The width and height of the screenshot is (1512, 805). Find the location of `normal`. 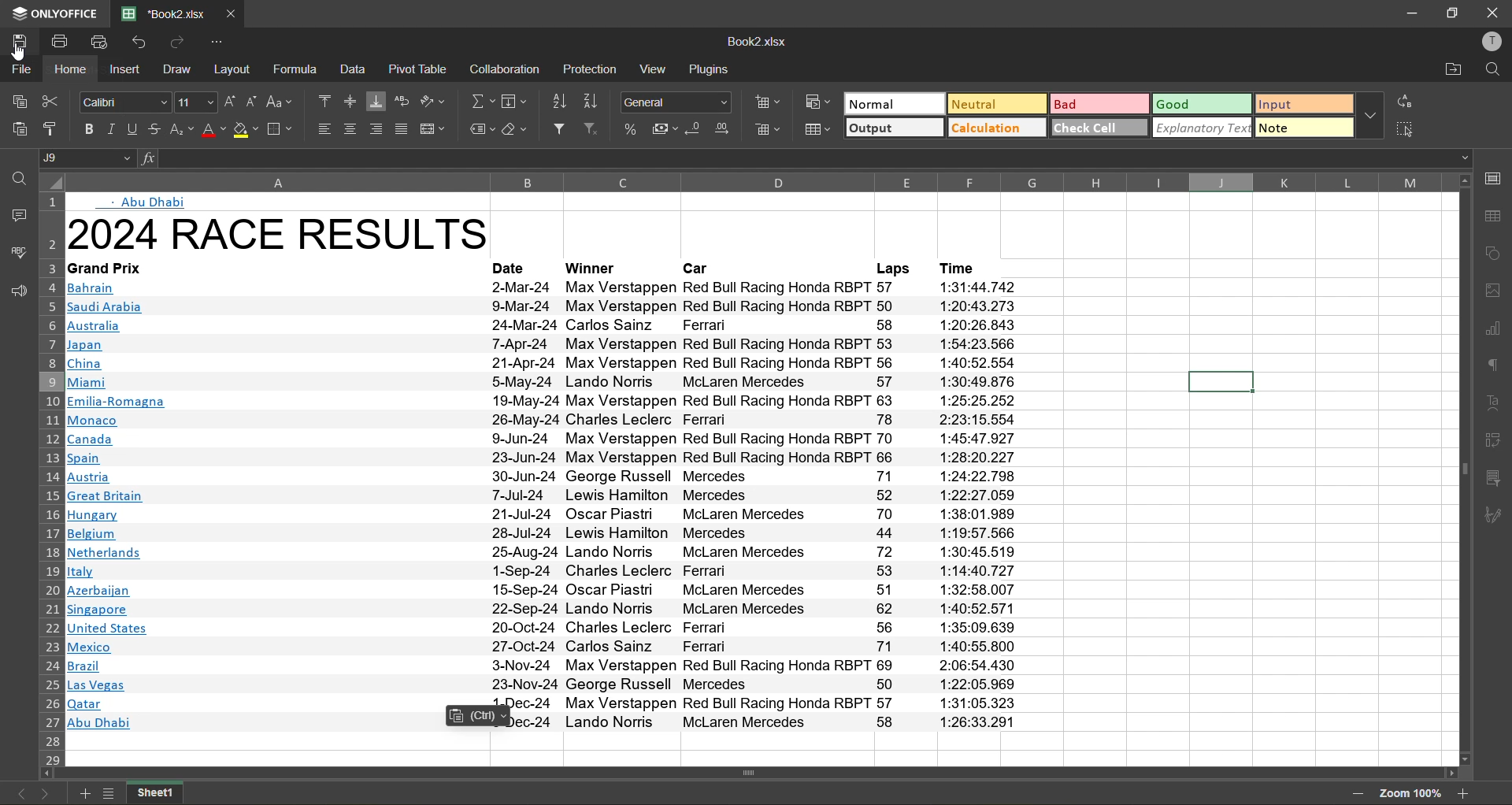

normal is located at coordinates (894, 102).